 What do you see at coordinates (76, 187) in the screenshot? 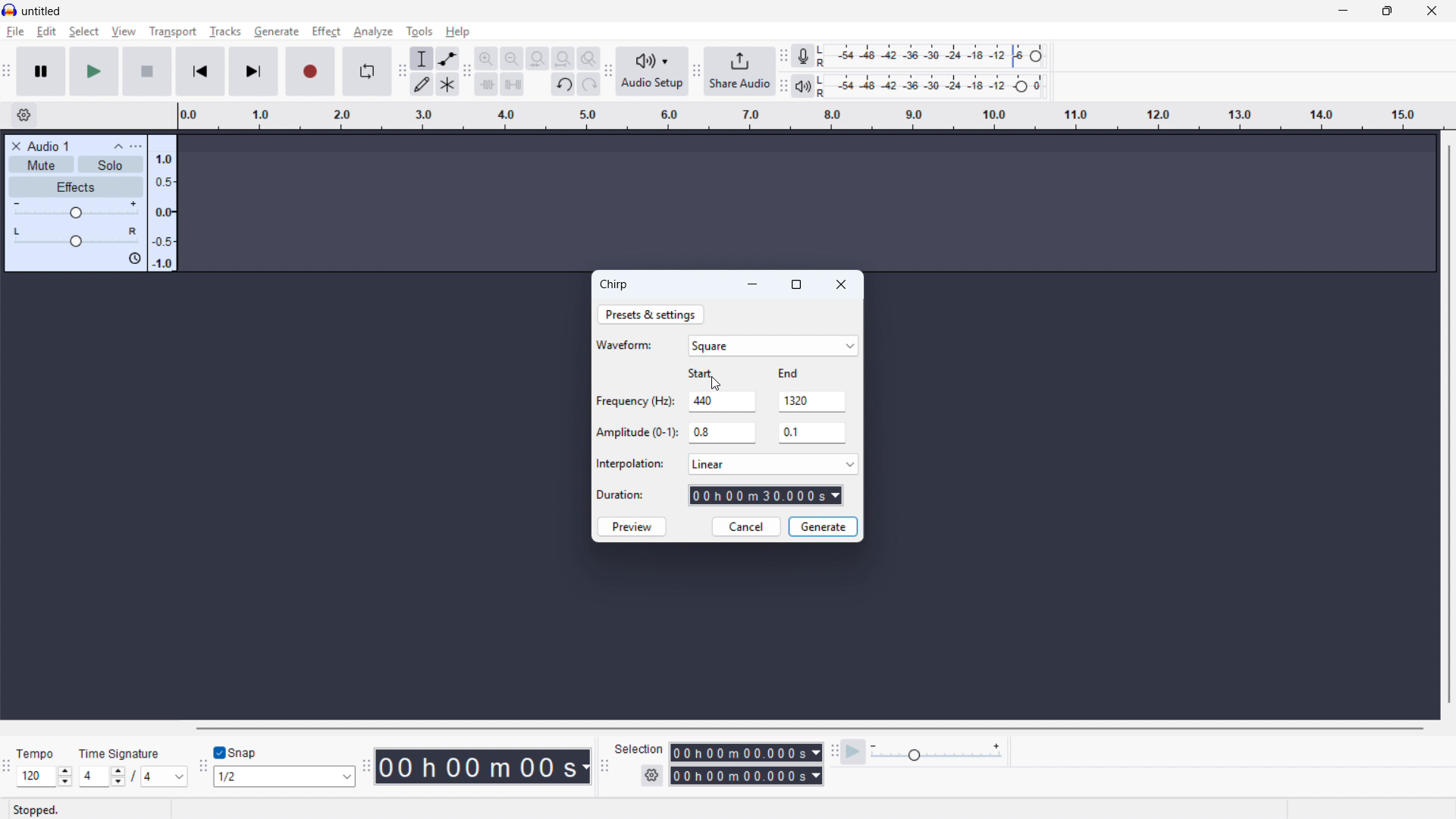
I see `Effects ` at bounding box center [76, 187].